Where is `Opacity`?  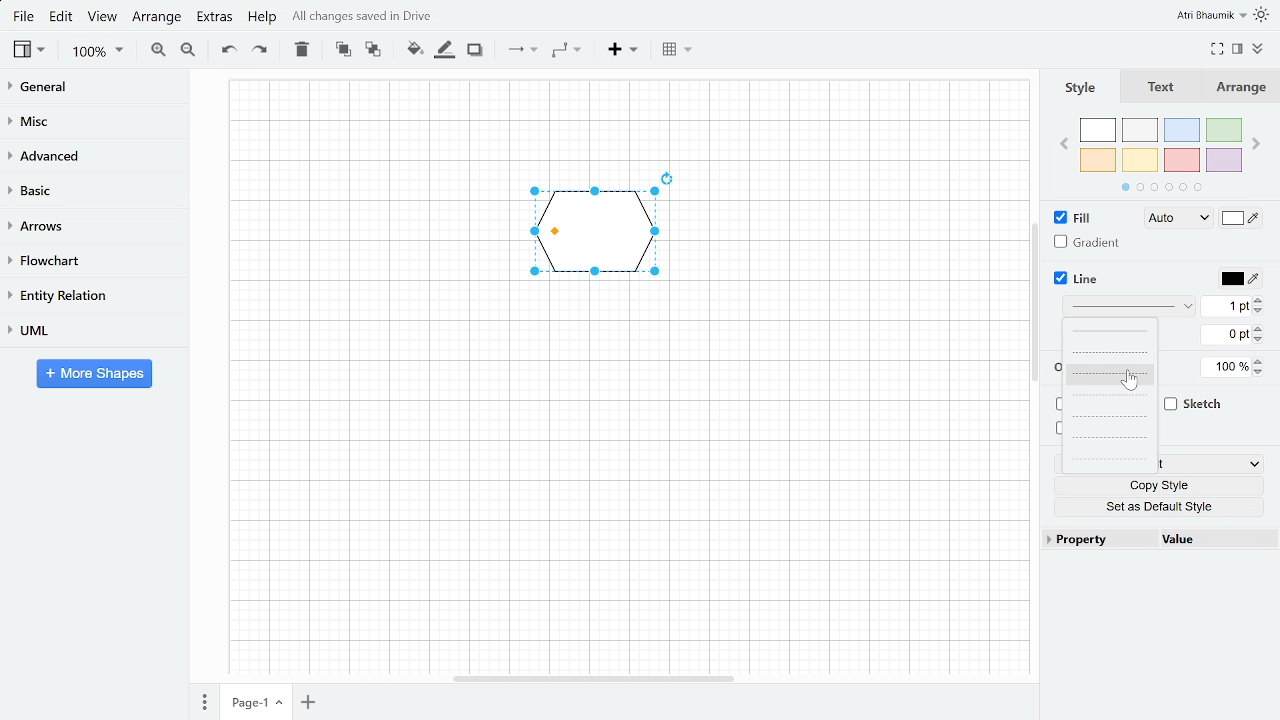
Opacity is located at coordinates (1226, 367).